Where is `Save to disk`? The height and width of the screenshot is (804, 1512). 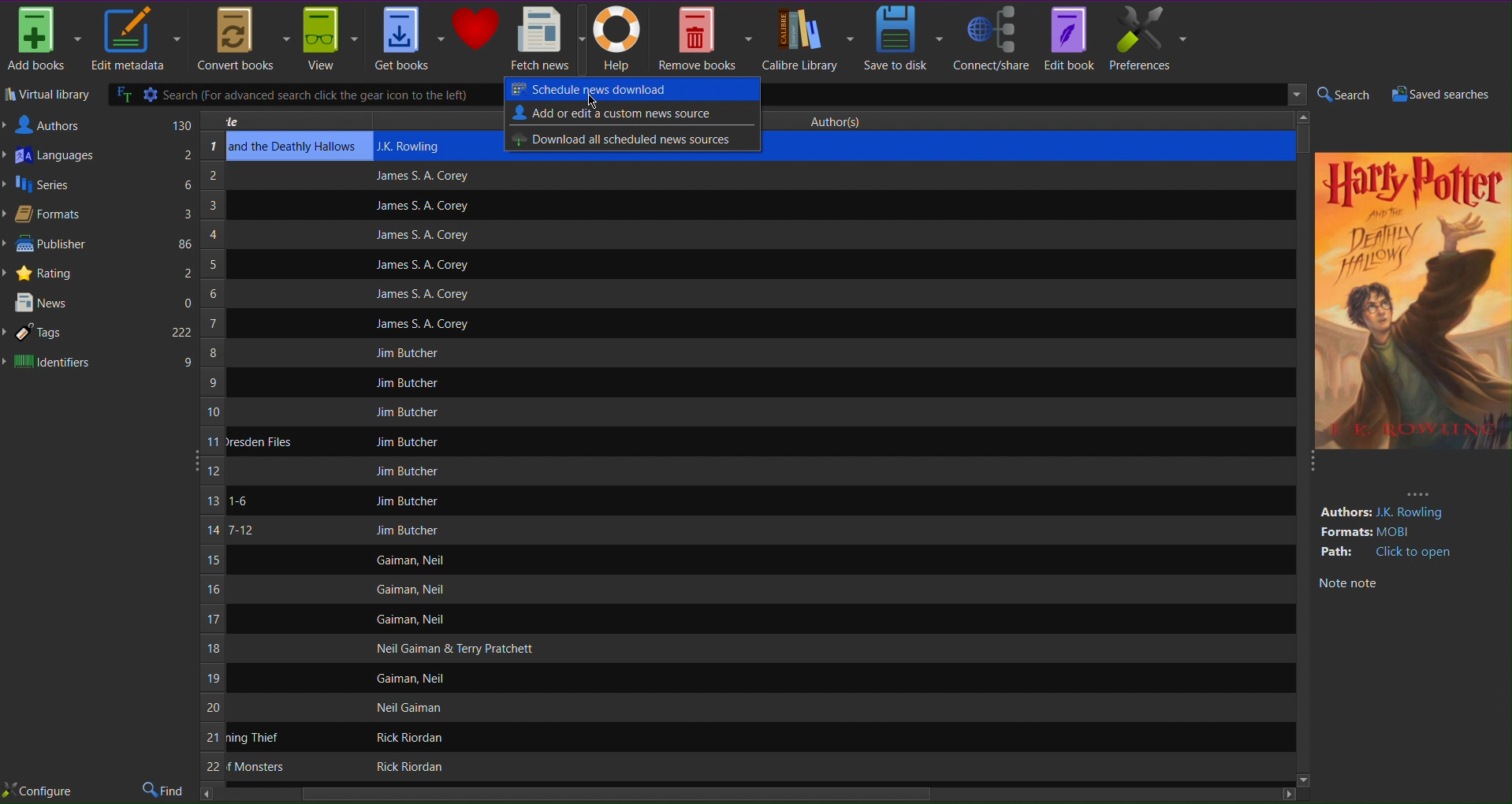
Save to disk is located at coordinates (904, 37).